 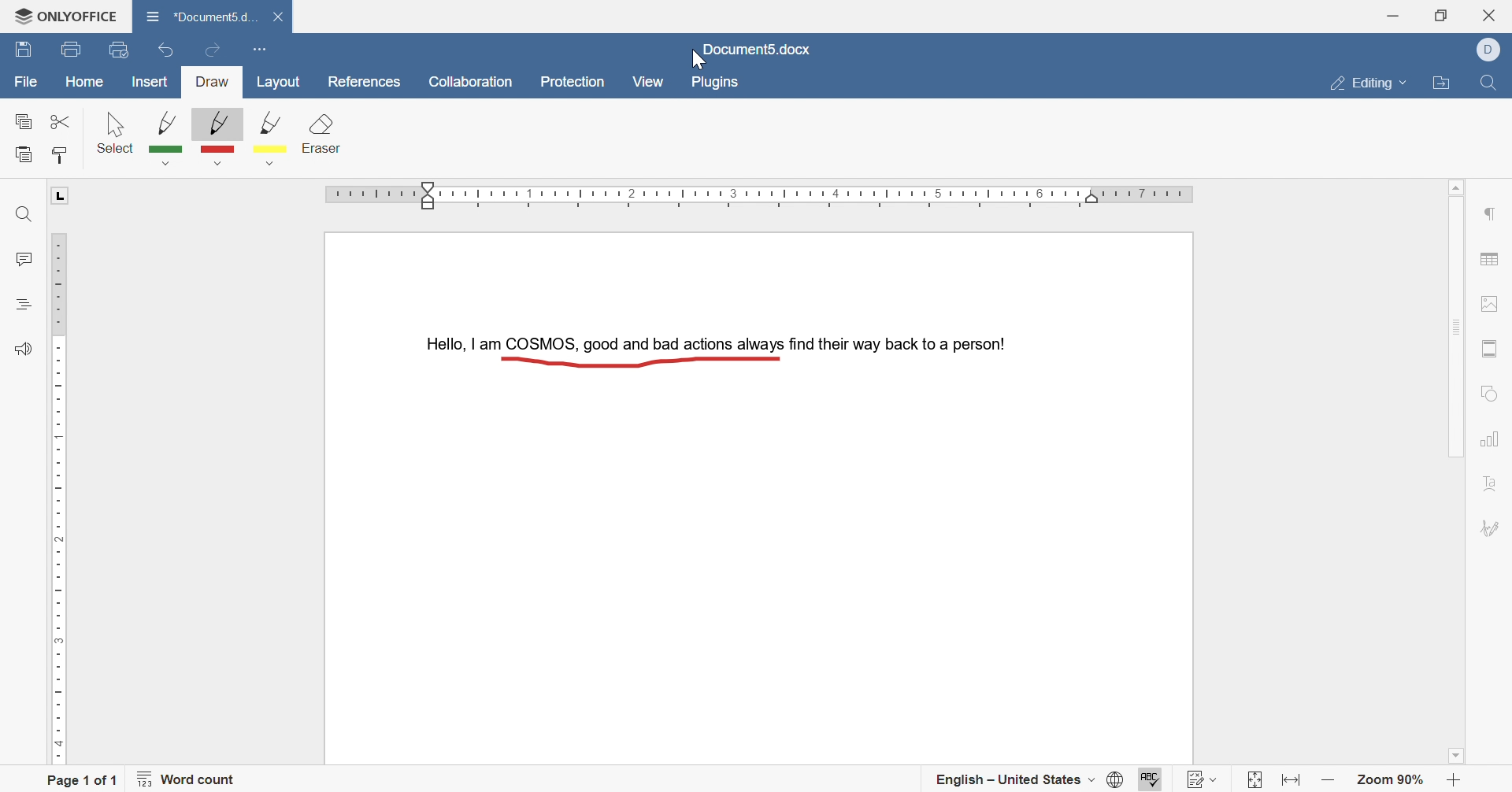 What do you see at coordinates (22, 350) in the screenshot?
I see `feedback and support` at bounding box center [22, 350].